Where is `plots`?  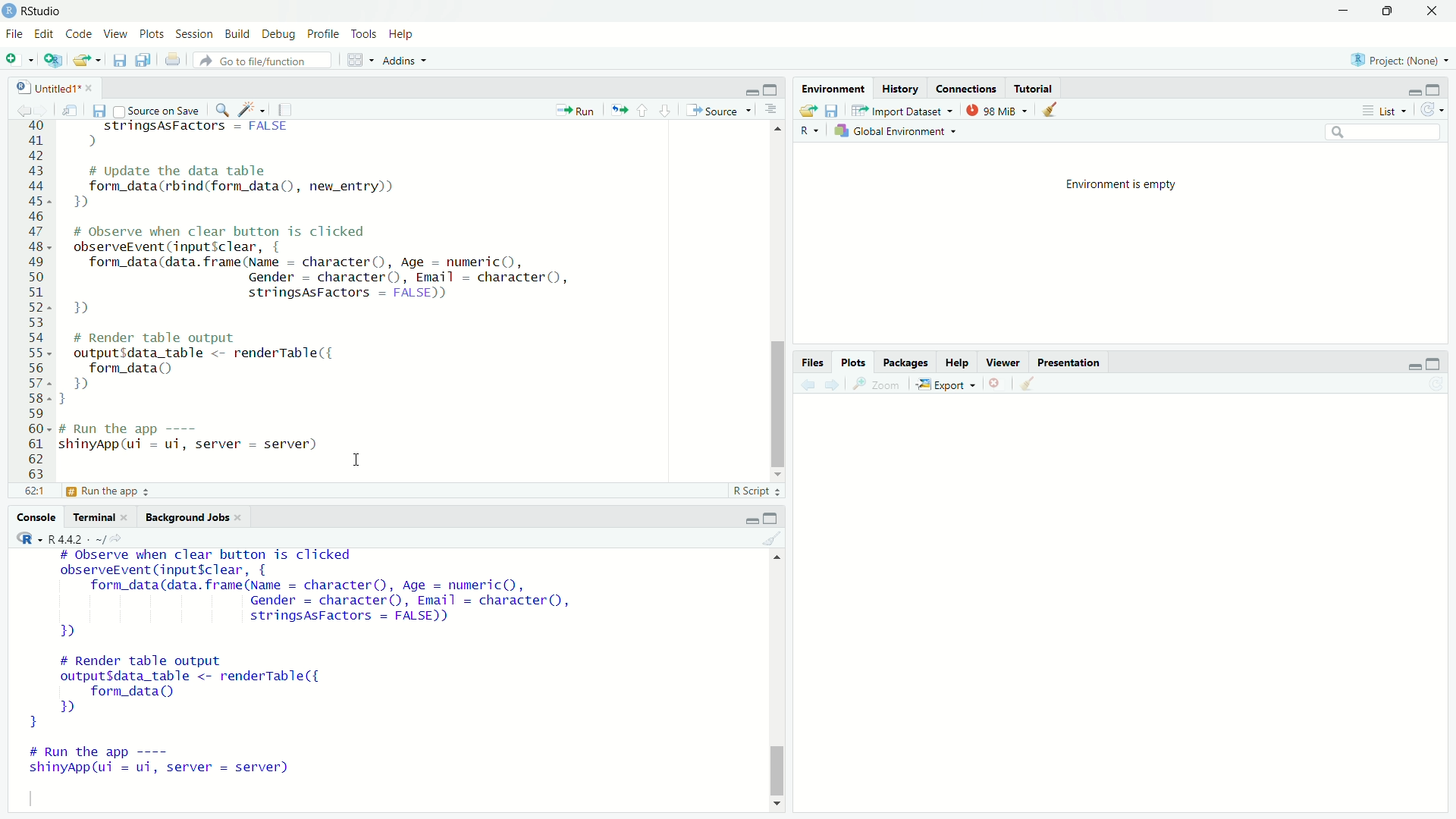 plots is located at coordinates (855, 362).